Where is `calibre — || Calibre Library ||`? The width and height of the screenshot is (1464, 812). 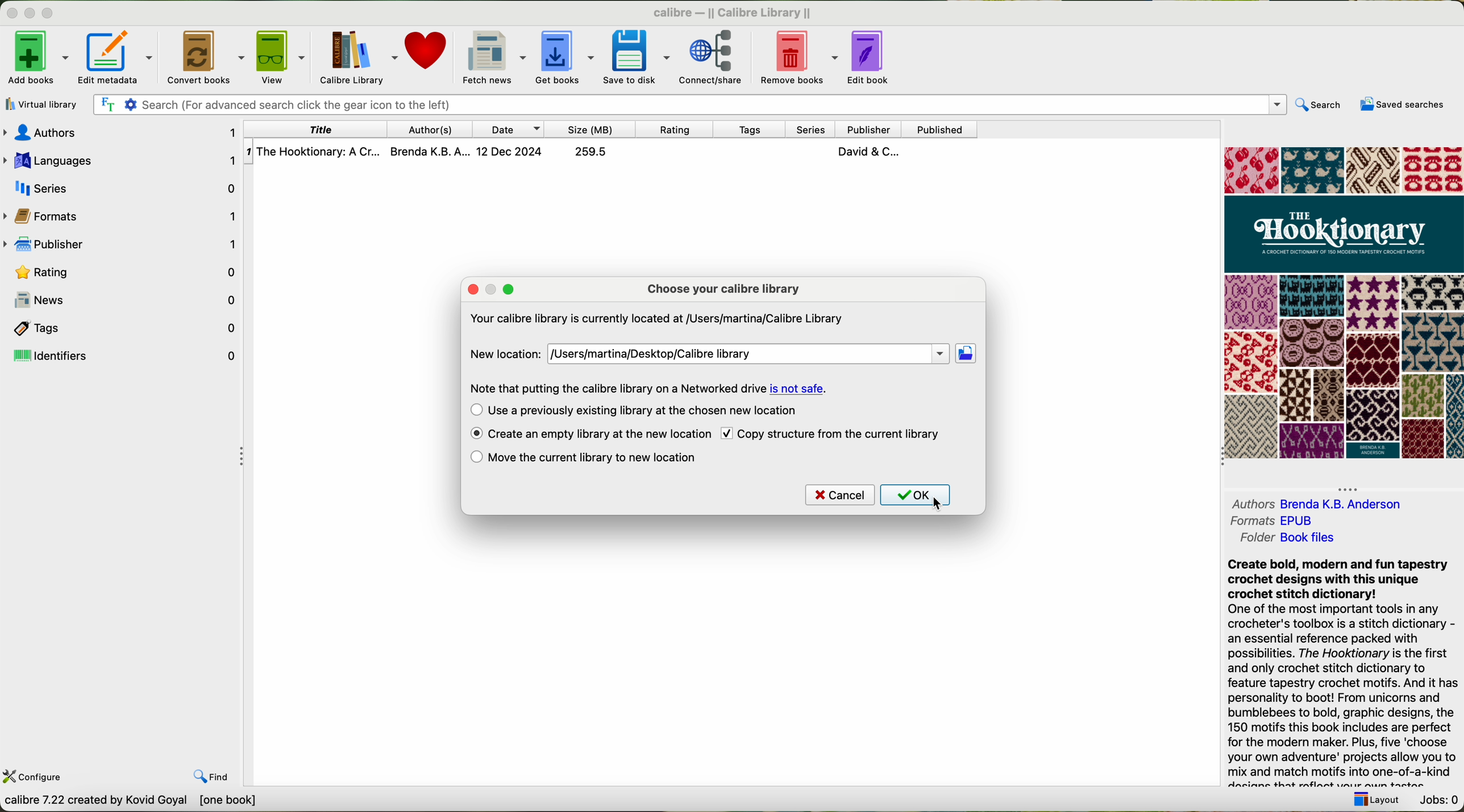 calibre — || Calibre Library || is located at coordinates (731, 11).